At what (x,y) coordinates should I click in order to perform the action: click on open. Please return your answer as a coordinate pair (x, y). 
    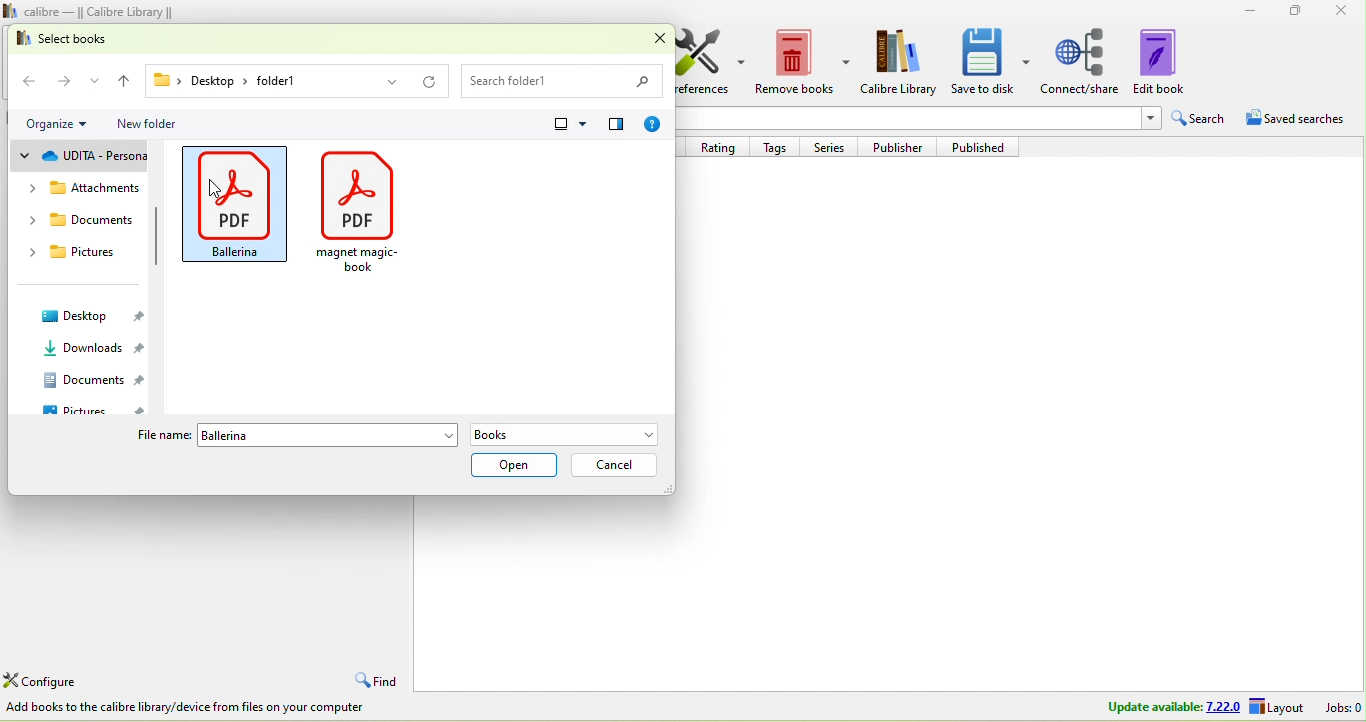
    Looking at the image, I should click on (514, 466).